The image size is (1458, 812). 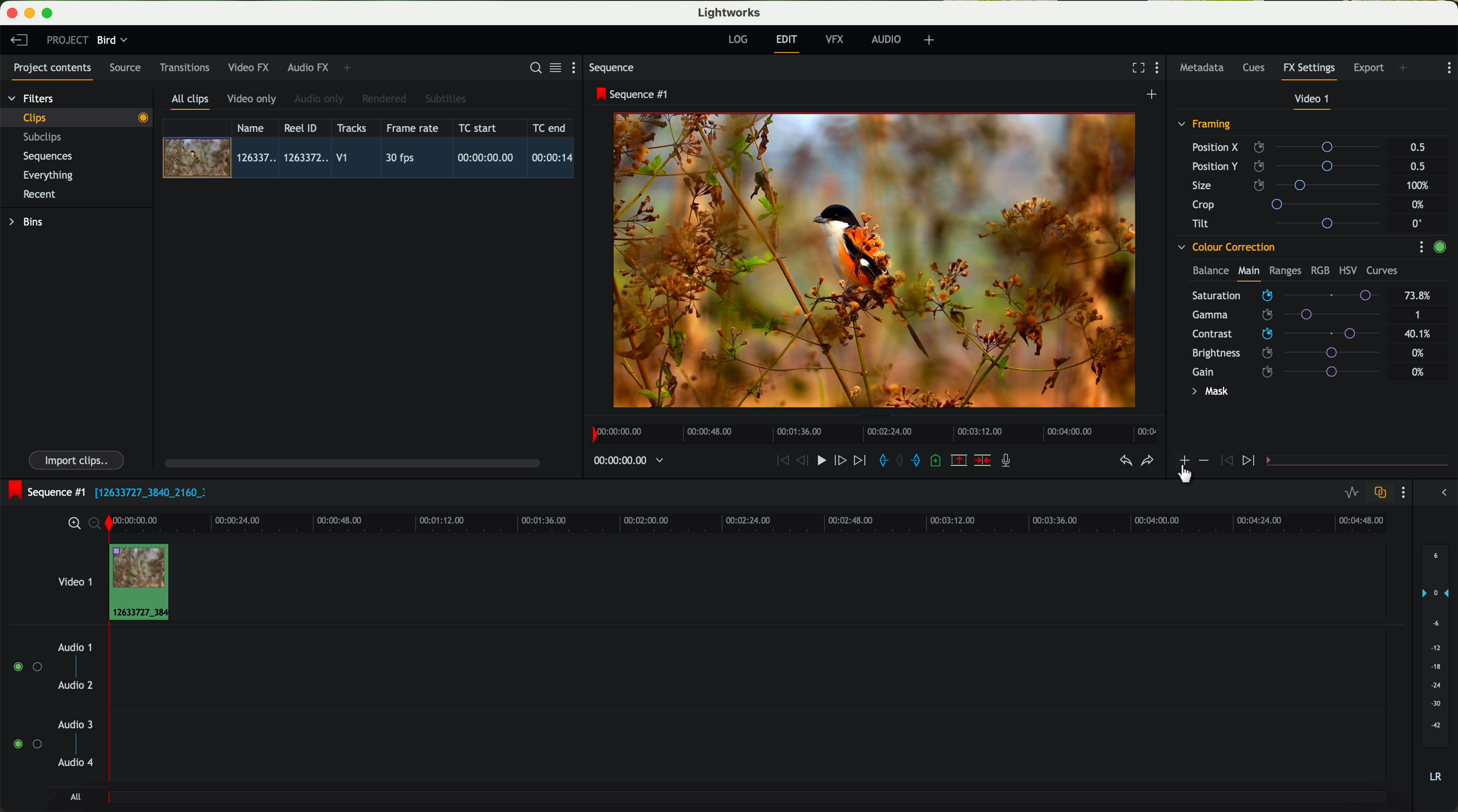 I want to click on redo, so click(x=1147, y=462).